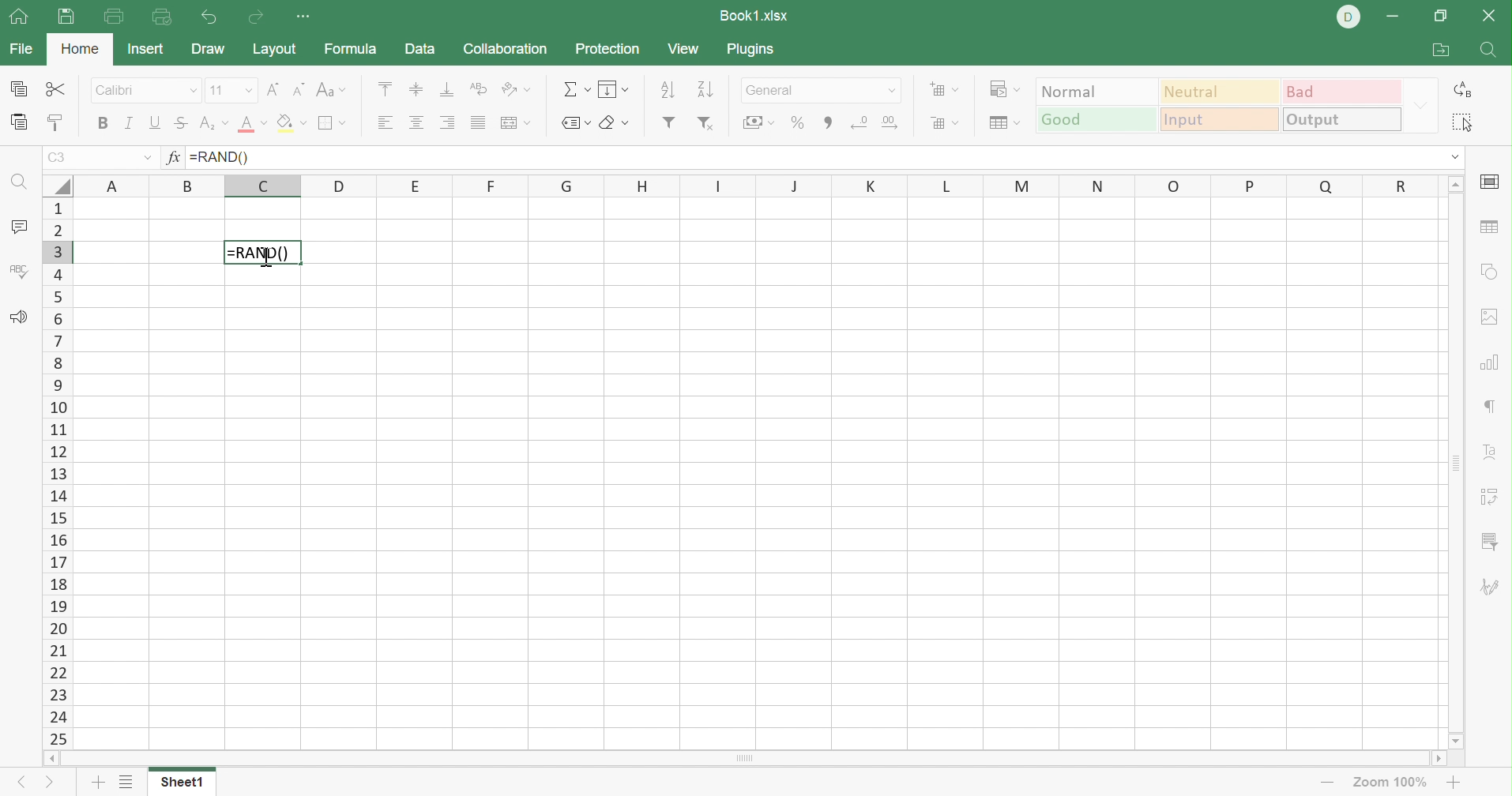 The image size is (1512, 796). What do you see at coordinates (1455, 156) in the screenshot?
I see `Drop down` at bounding box center [1455, 156].